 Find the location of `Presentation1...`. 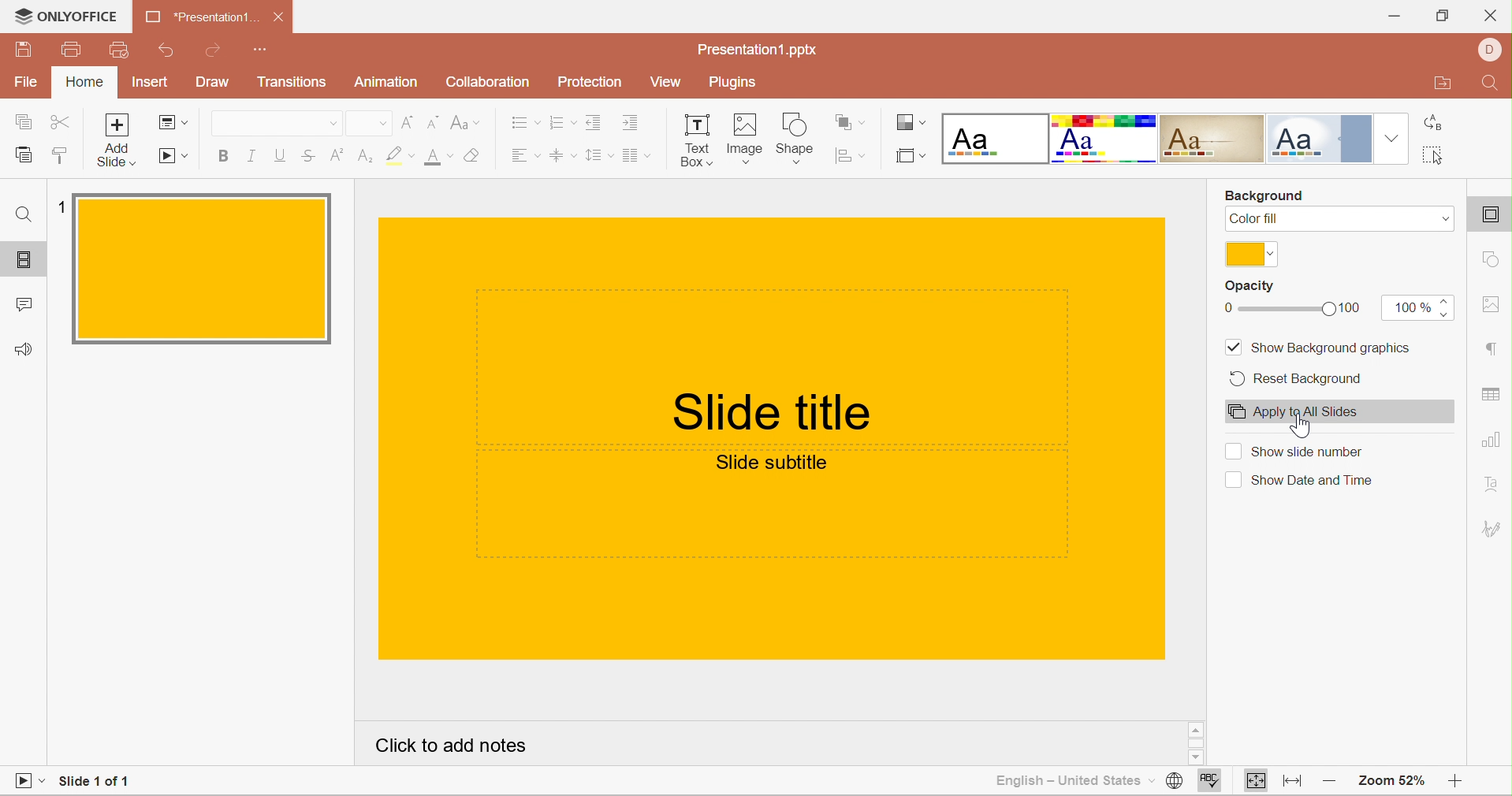

Presentation1... is located at coordinates (196, 17).